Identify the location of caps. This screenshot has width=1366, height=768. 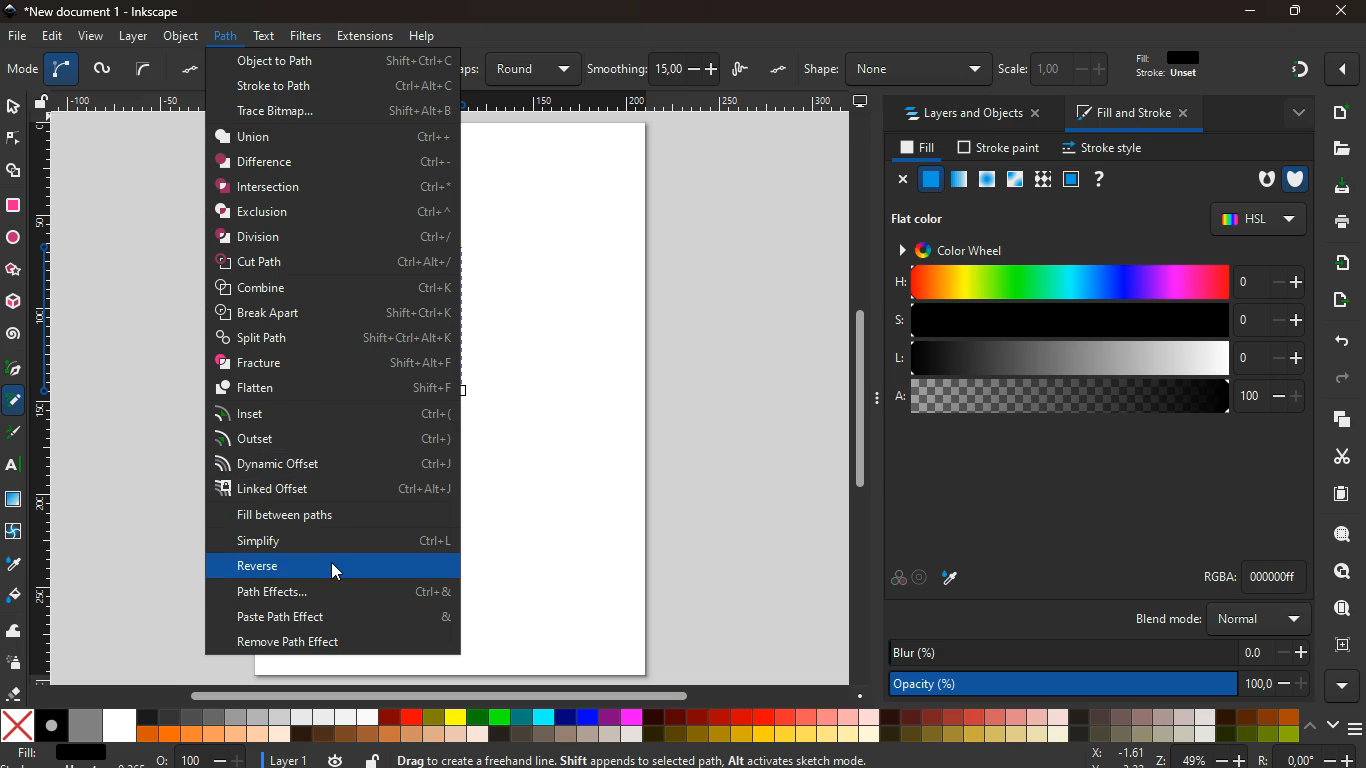
(520, 69).